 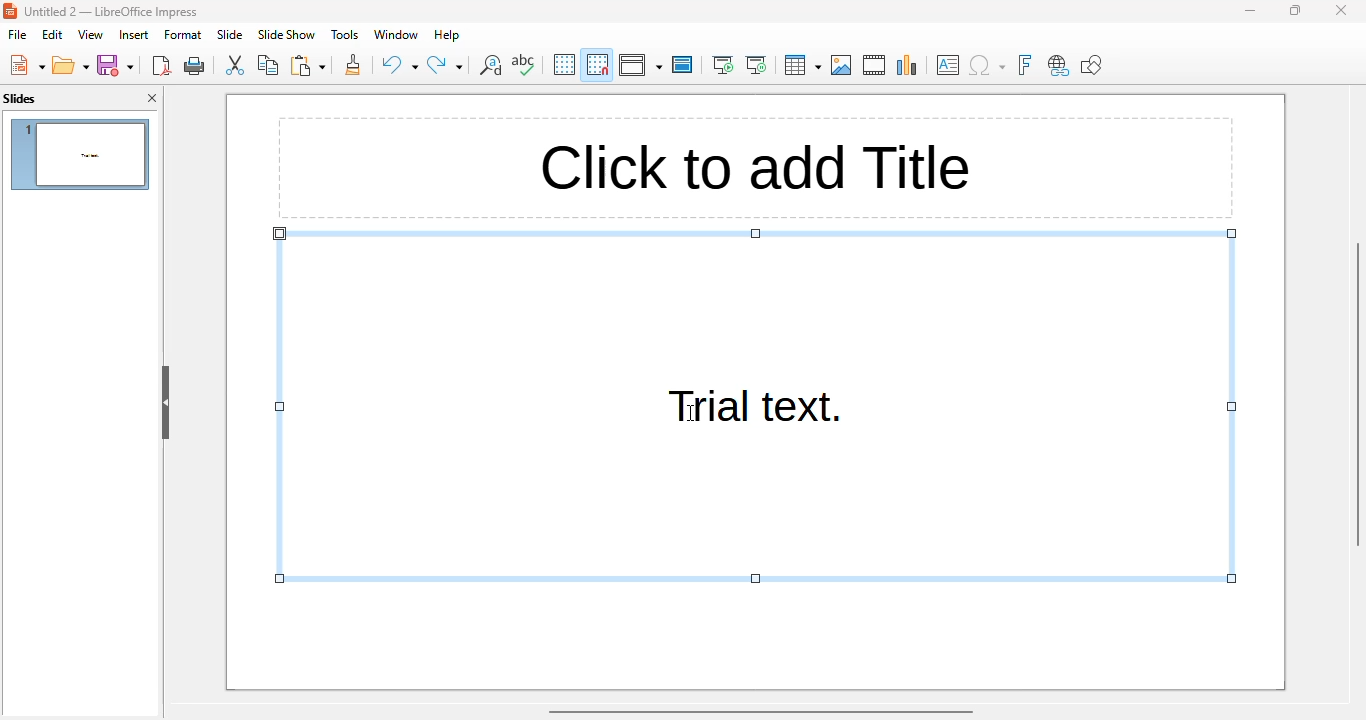 What do you see at coordinates (20, 99) in the screenshot?
I see `slides` at bounding box center [20, 99].